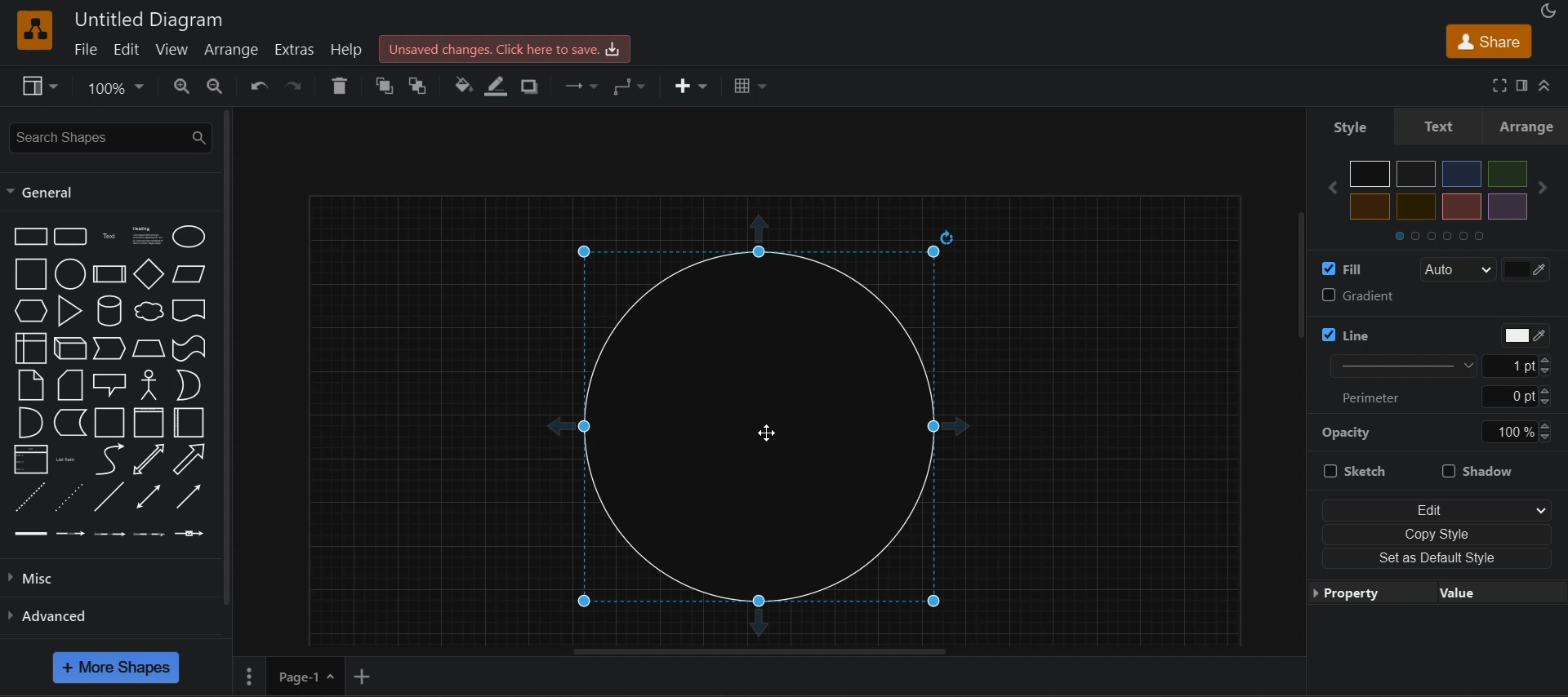 This screenshot has height=697, width=1568. Describe the element at coordinates (1547, 186) in the screenshot. I see `next` at that location.